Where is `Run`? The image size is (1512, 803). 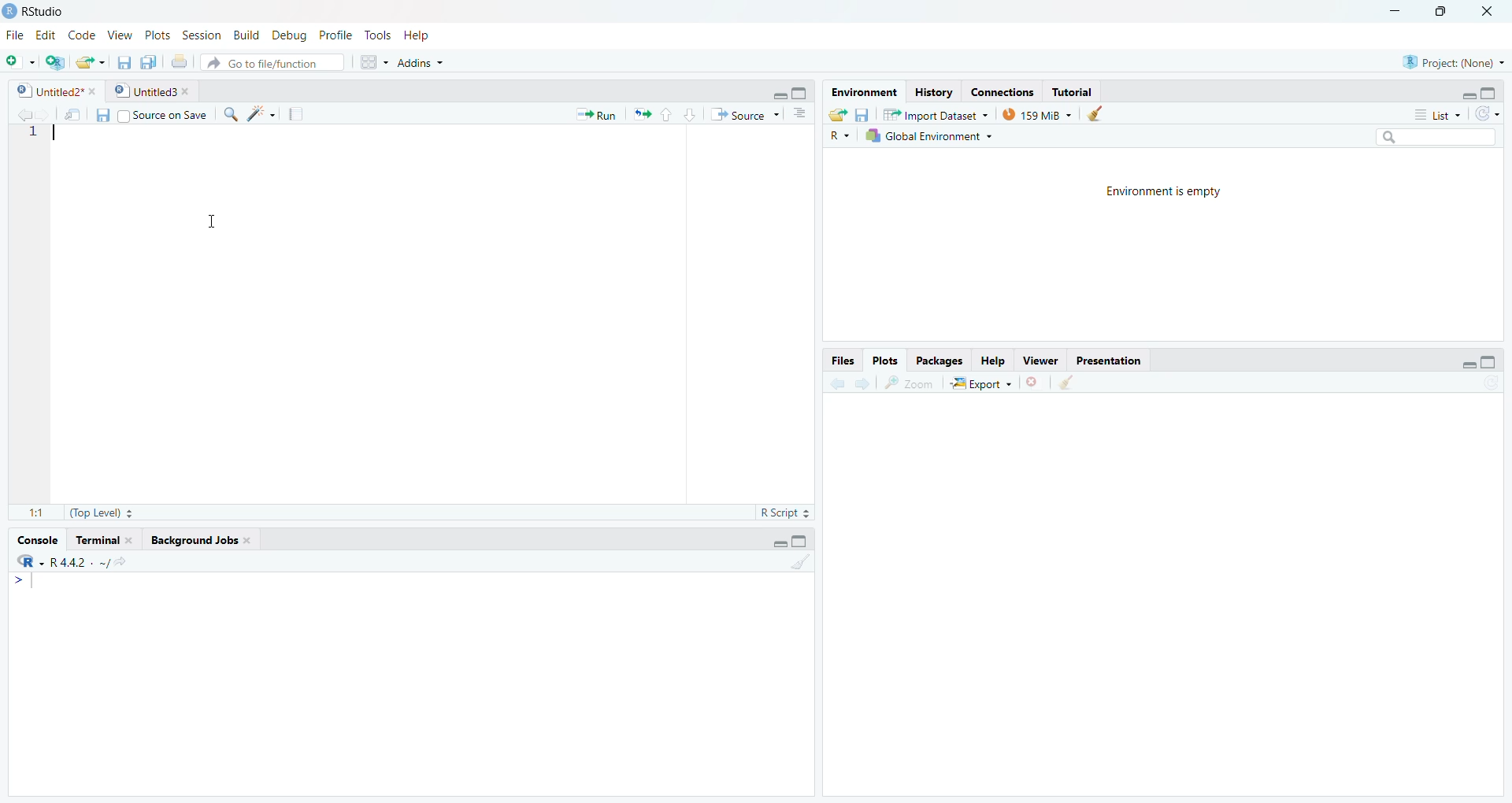
Run is located at coordinates (598, 113).